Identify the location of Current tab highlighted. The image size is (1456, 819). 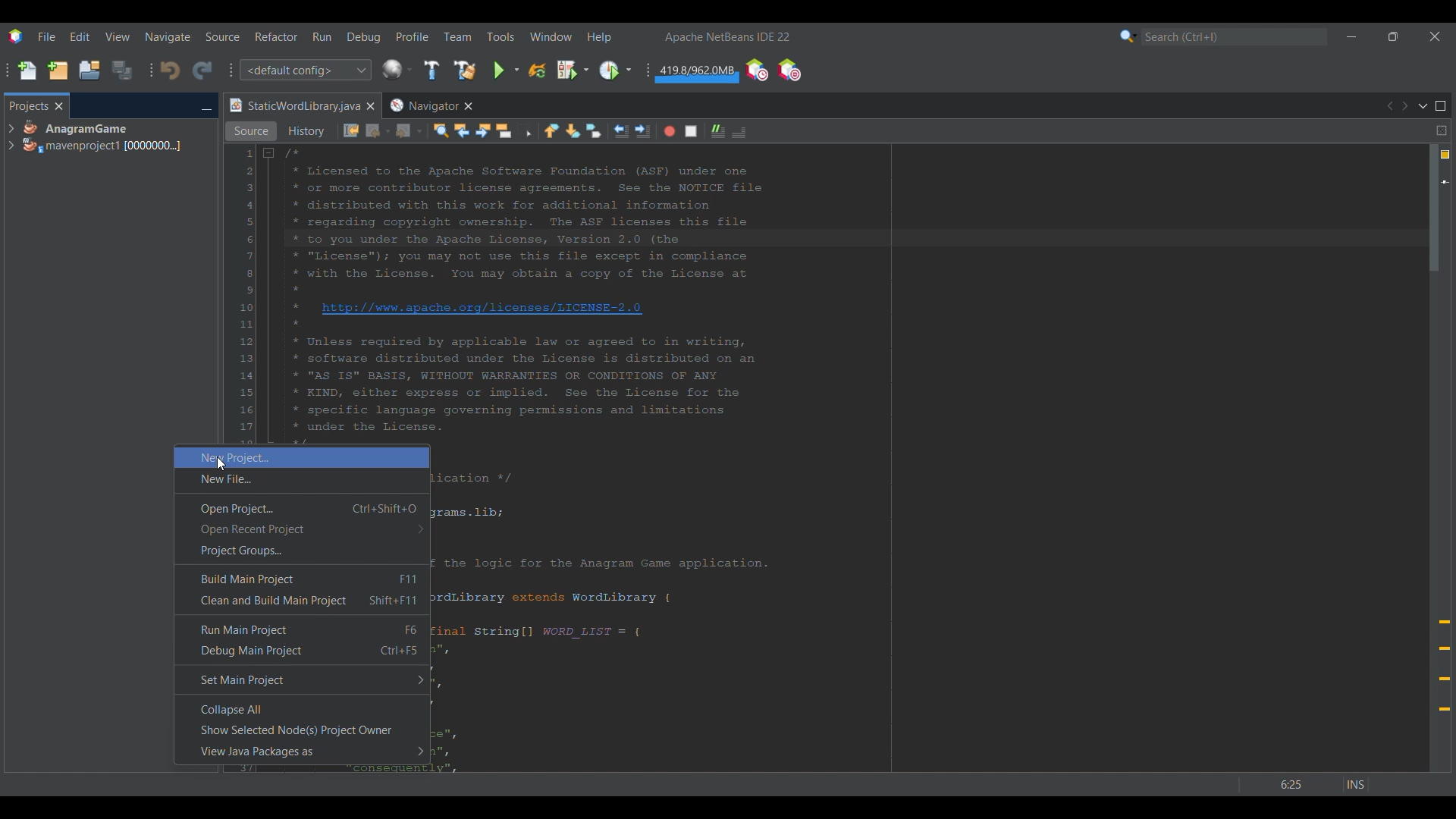
(293, 106).